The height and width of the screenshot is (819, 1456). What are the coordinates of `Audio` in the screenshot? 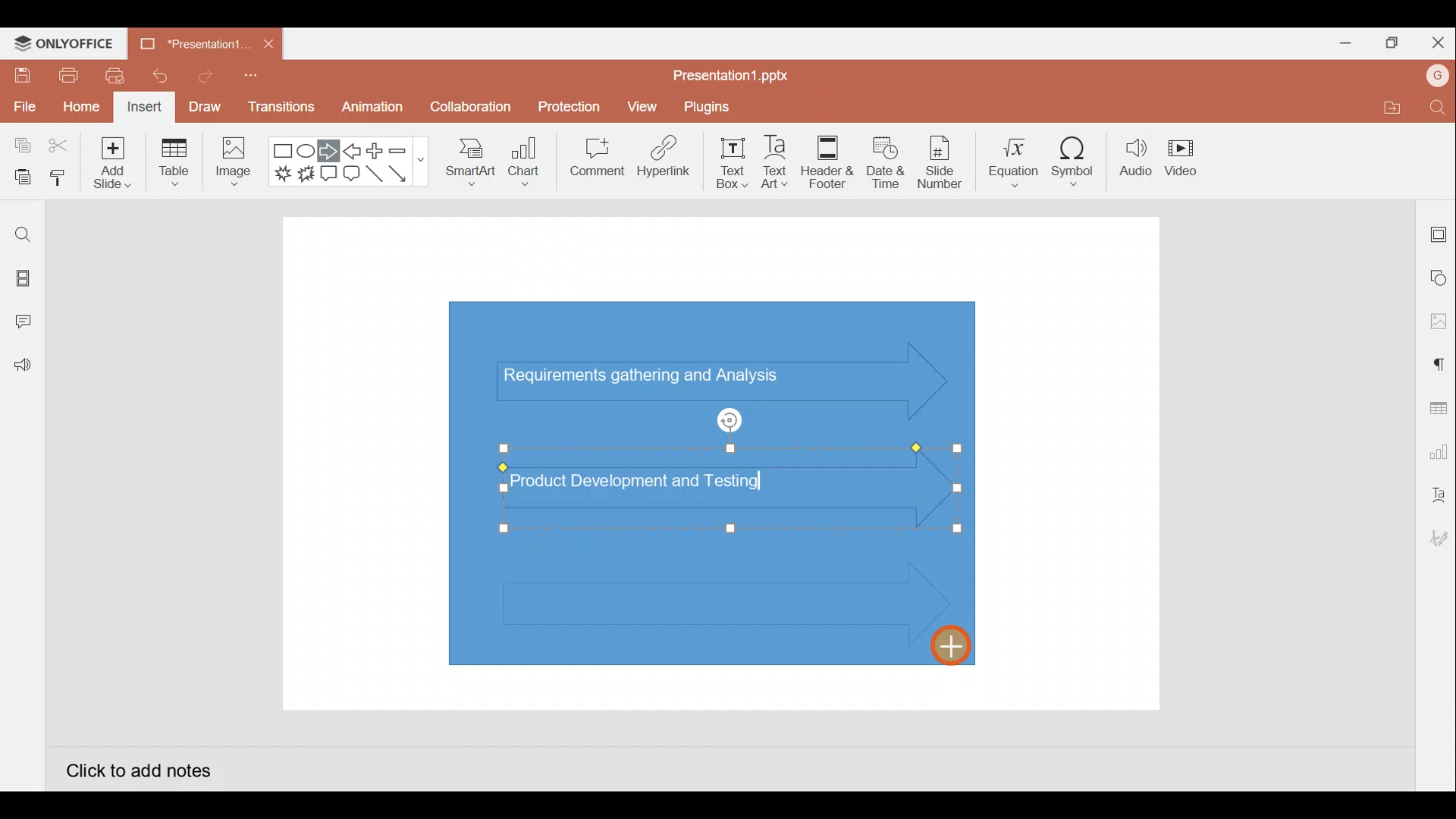 It's located at (1136, 158).